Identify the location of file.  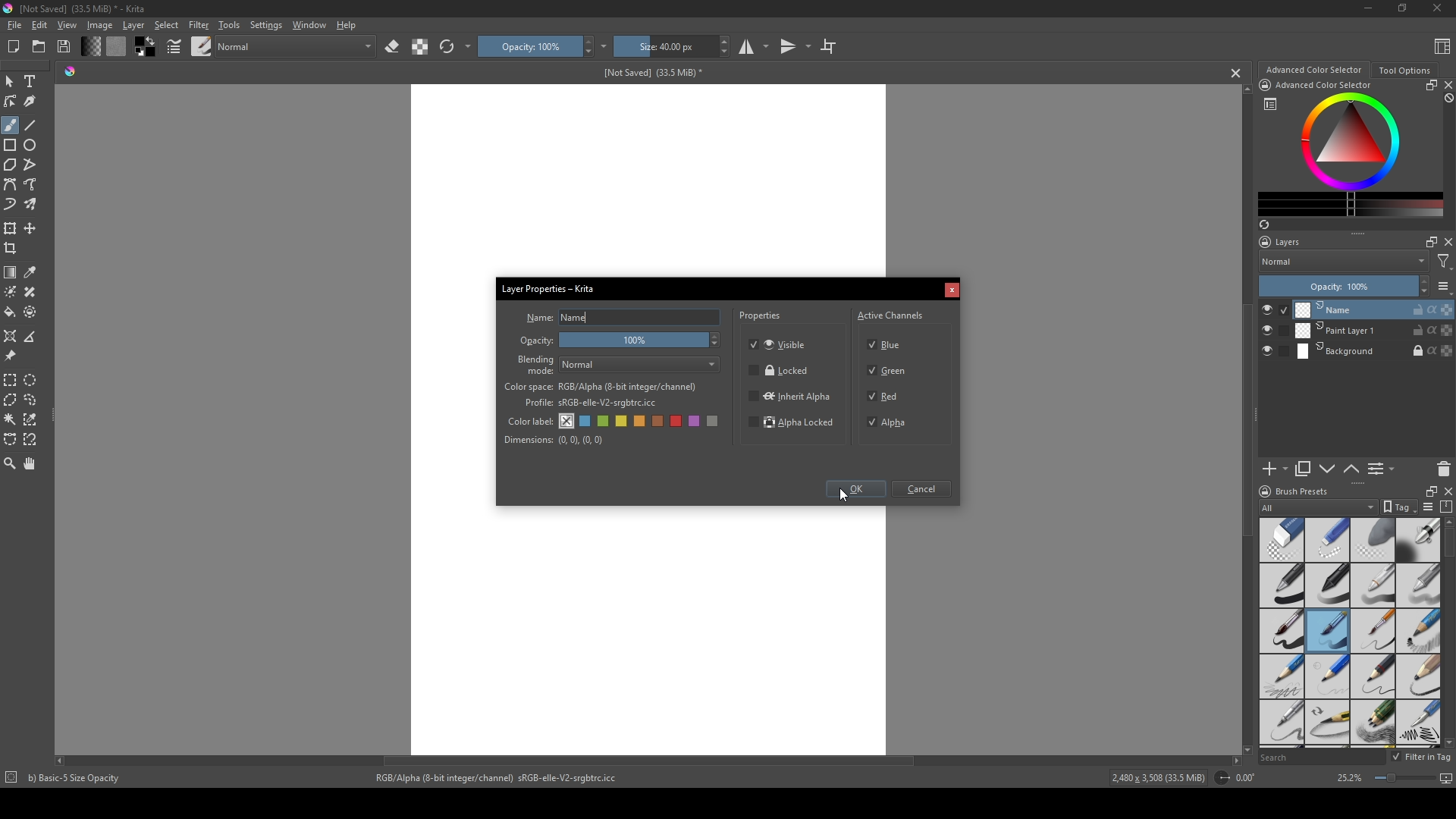
(14, 26).